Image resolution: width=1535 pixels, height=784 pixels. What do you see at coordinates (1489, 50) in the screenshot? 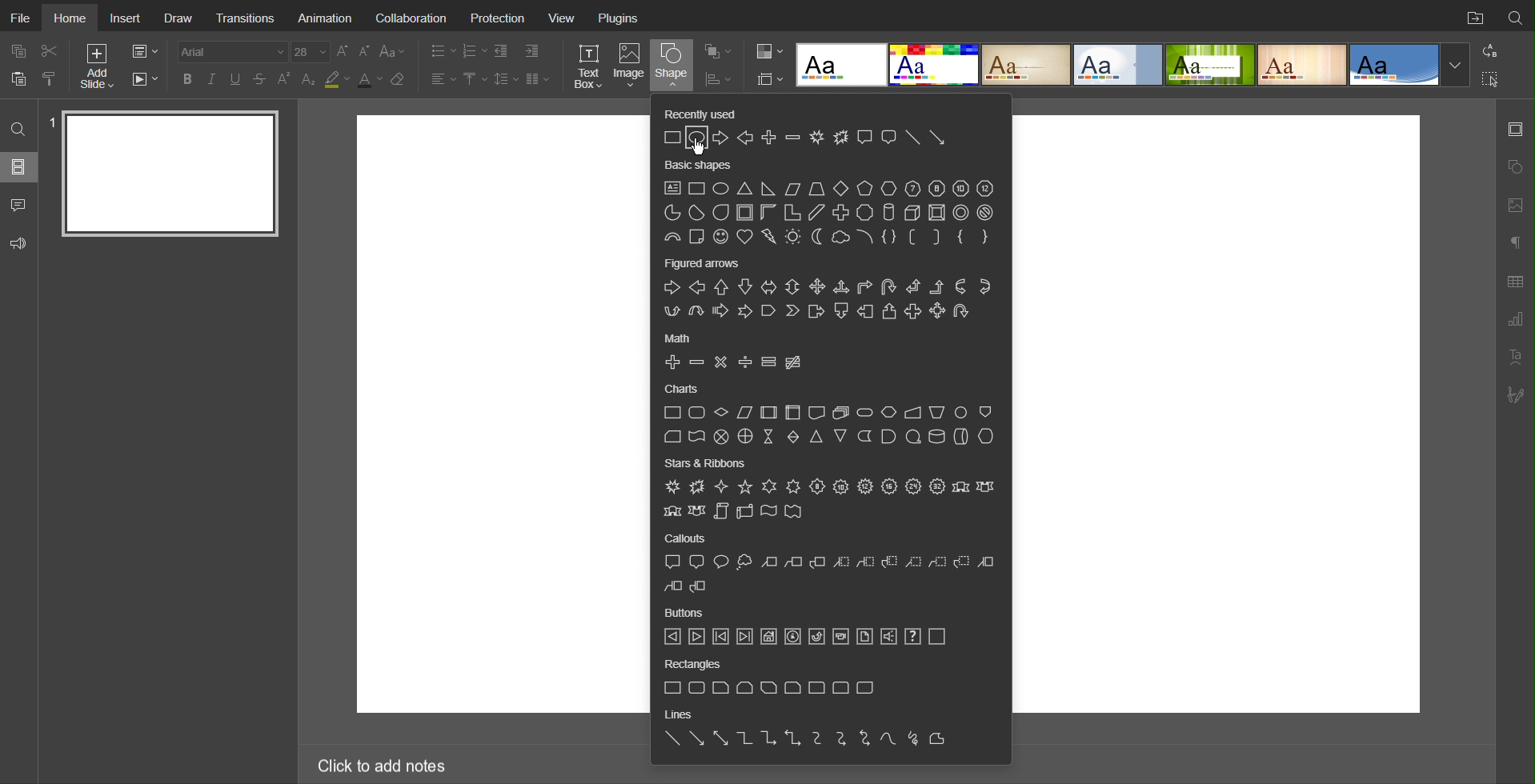
I see `Replace` at bounding box center [1489, 50].